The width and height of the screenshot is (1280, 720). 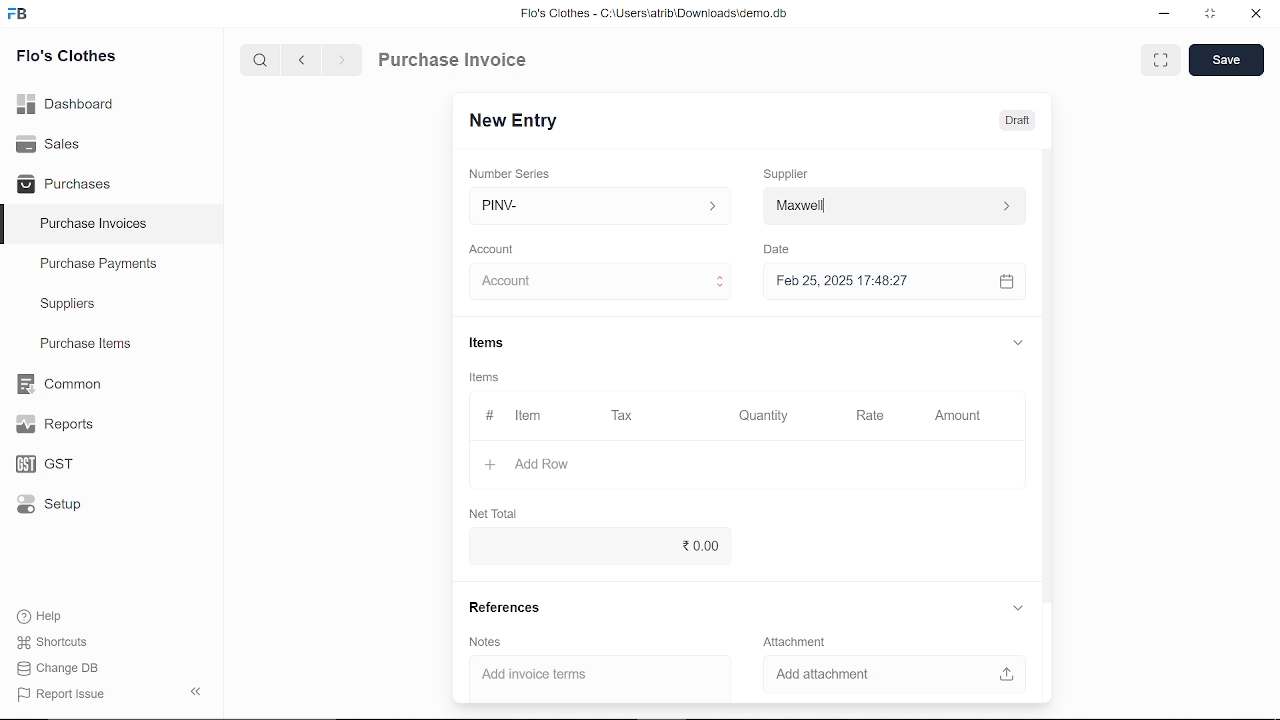 I want to click on Flo's Clothes, so click(x=66, y=57).